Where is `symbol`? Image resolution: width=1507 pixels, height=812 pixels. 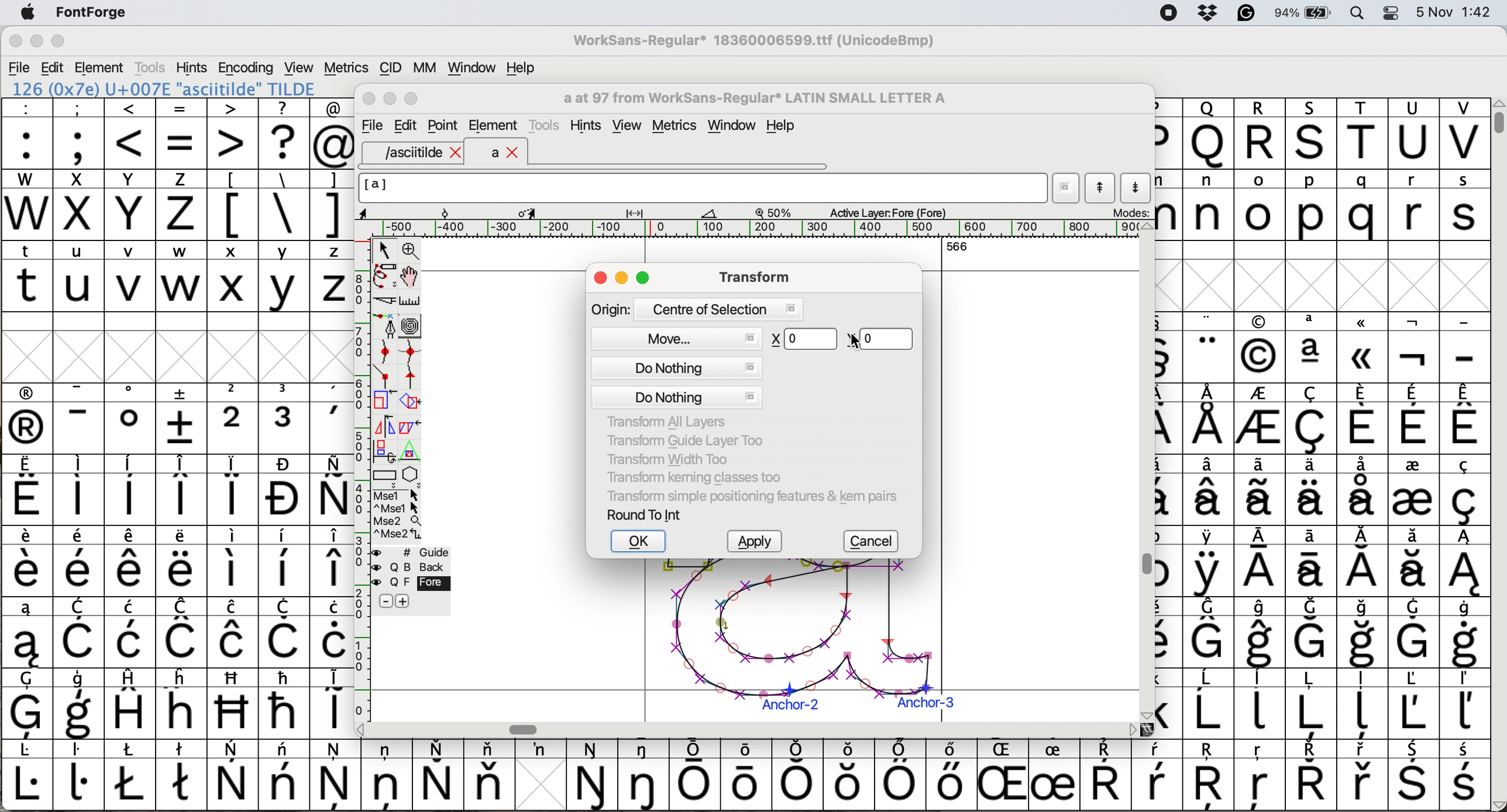 symbol is located at coordinates (1310, 775).